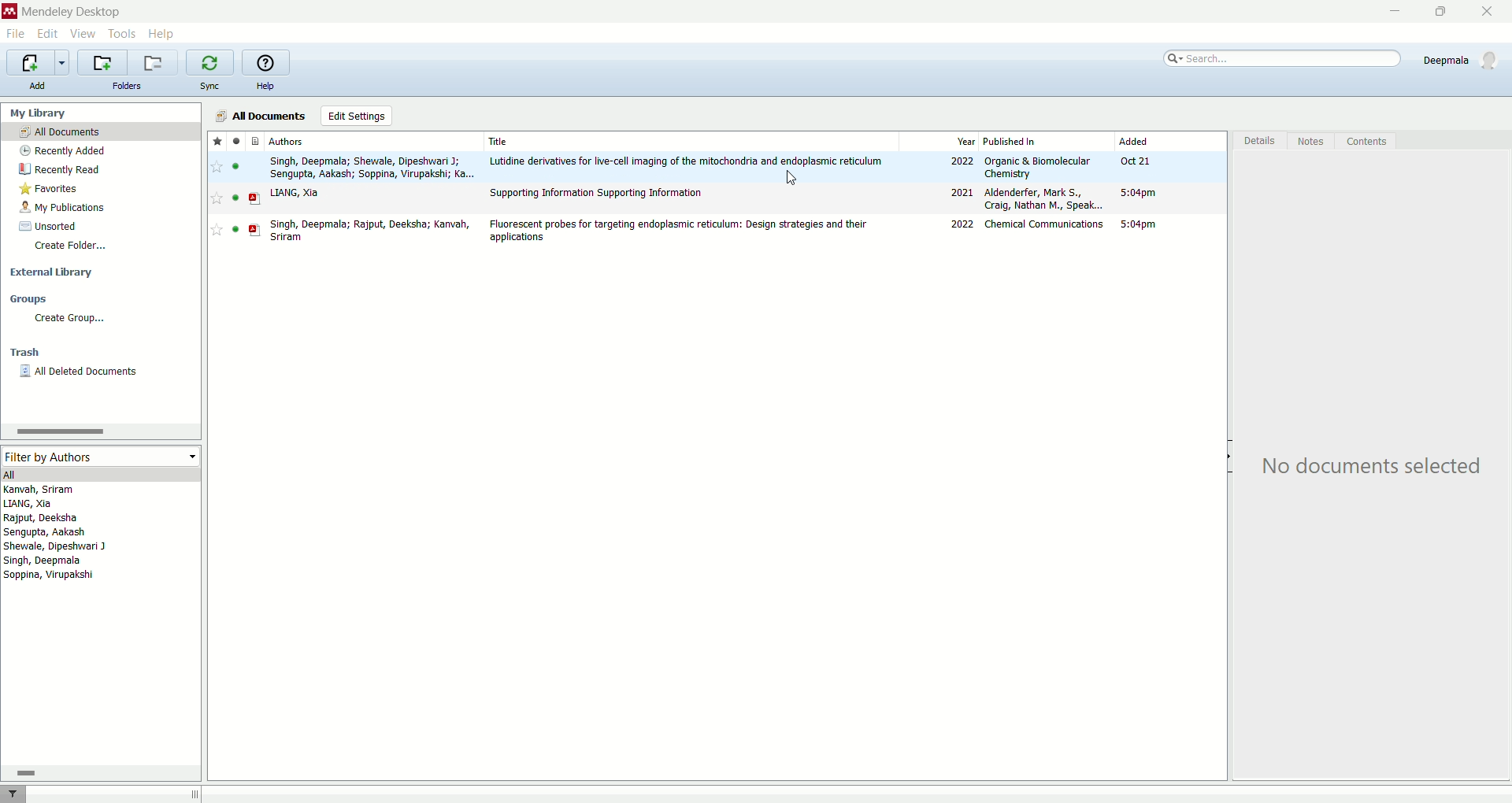 Image resolution: width=1512 pixels, height=803 pixels. What do you see at coordinates (1044, 198) in the screenshot?
I see `aldenderfer, Mark S., Craig Nathan M., Speak...` at bounding box center [1044, 198].